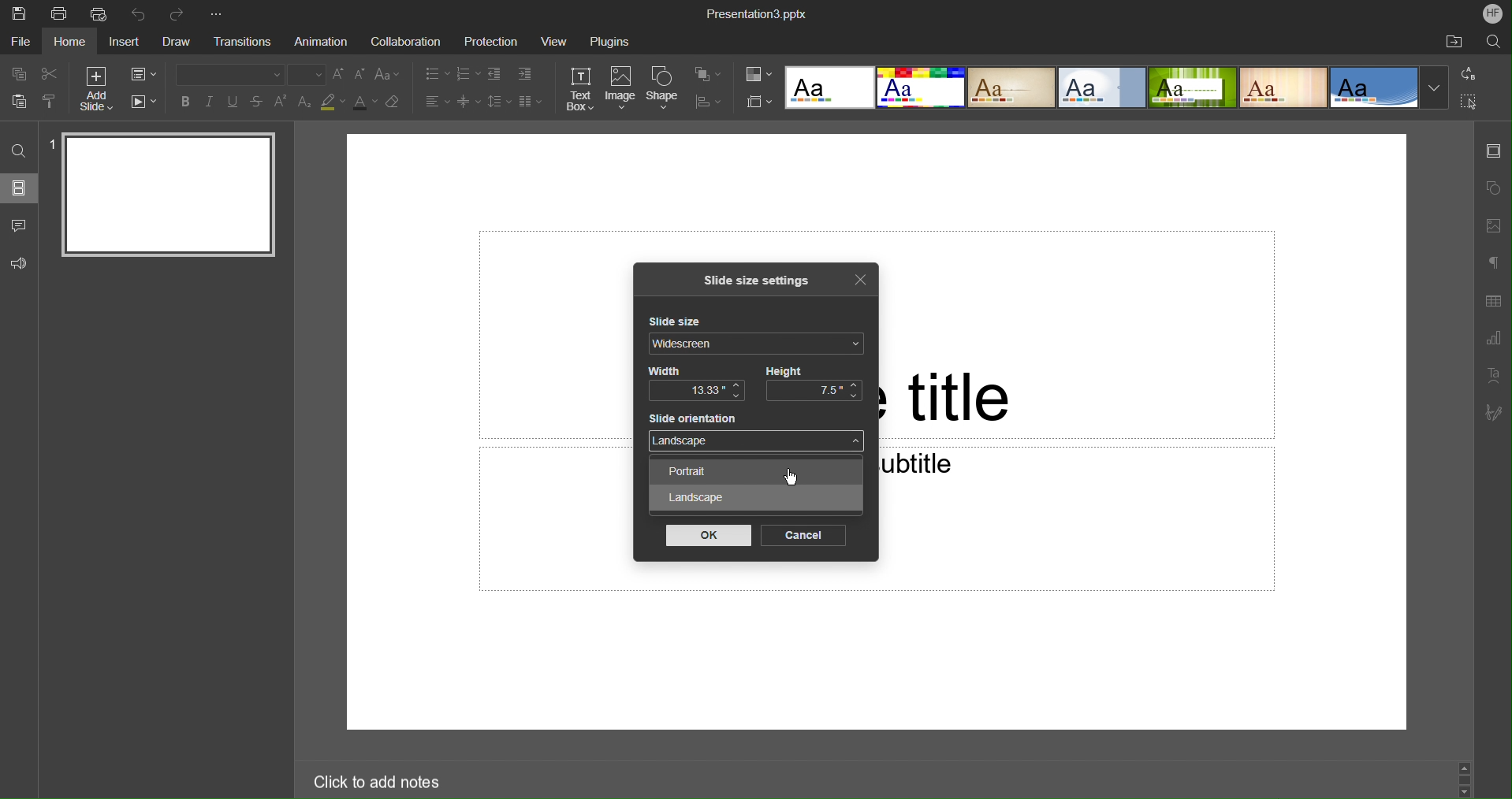 The width and height of the screenshot is (1512, 799). I want to click on Account, so click(1493, 13).